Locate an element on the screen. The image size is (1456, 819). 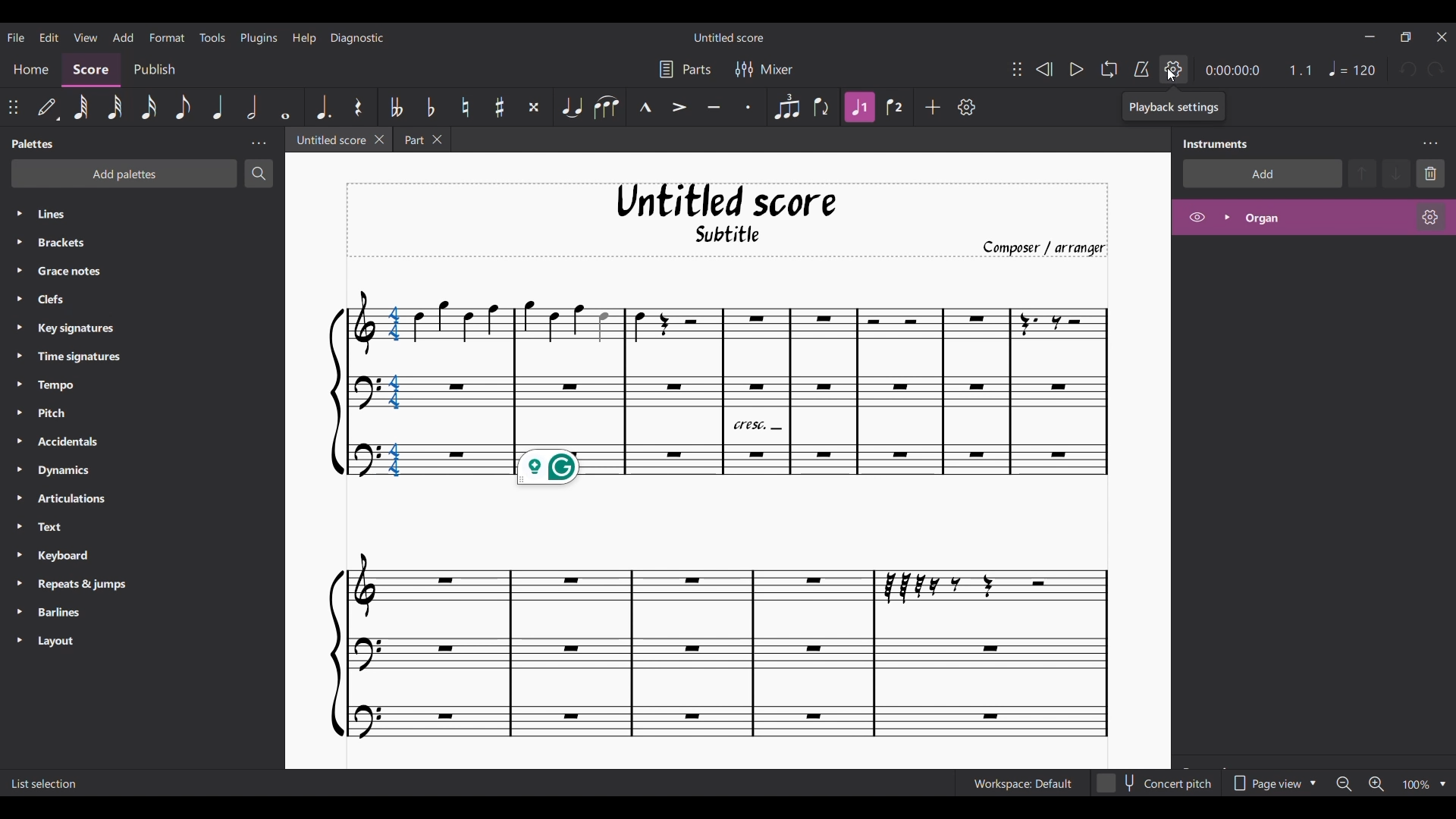
Tie is located at coordinates (571, 106).